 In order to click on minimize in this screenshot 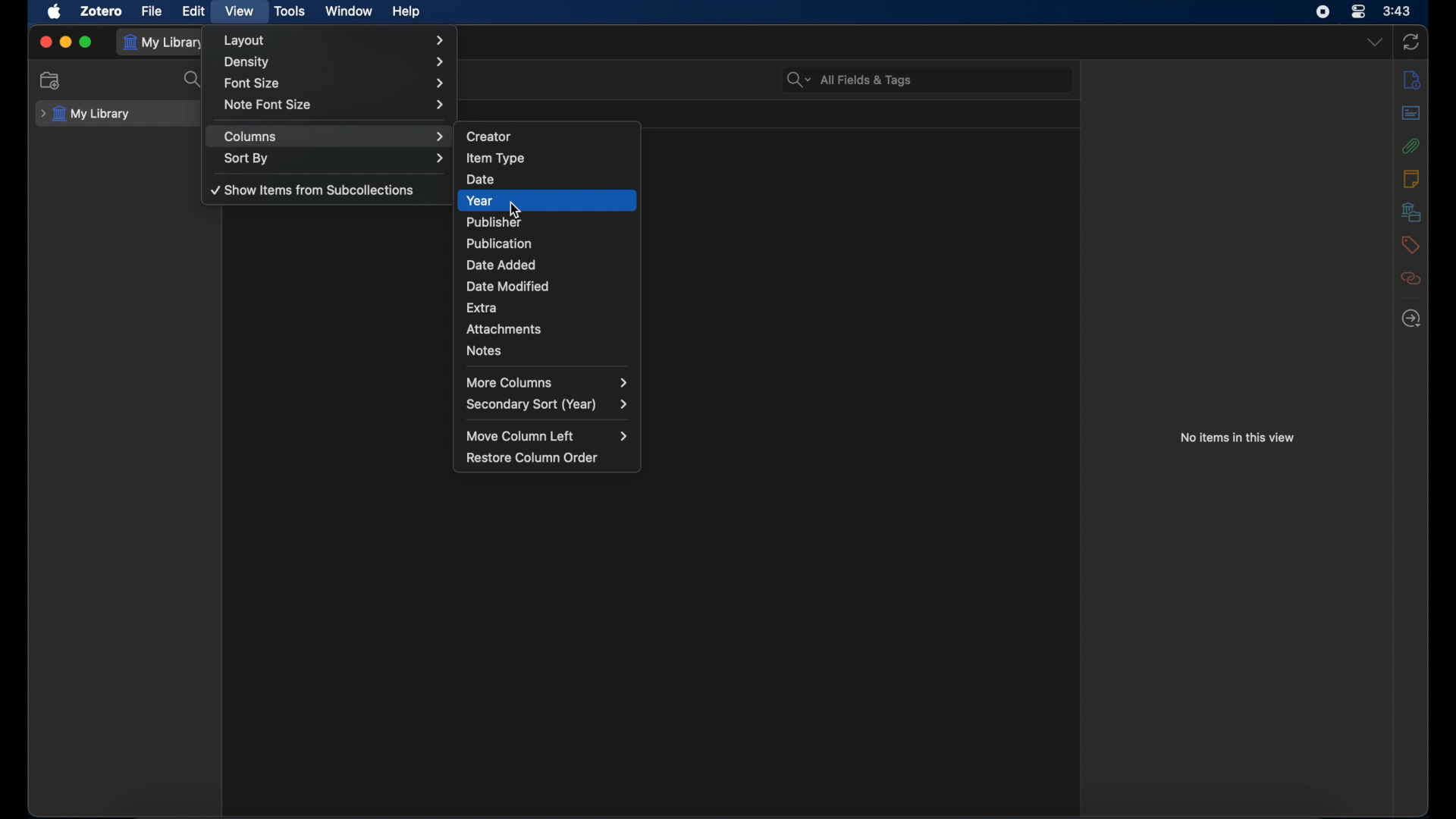, I will do `click(65, 42)`.